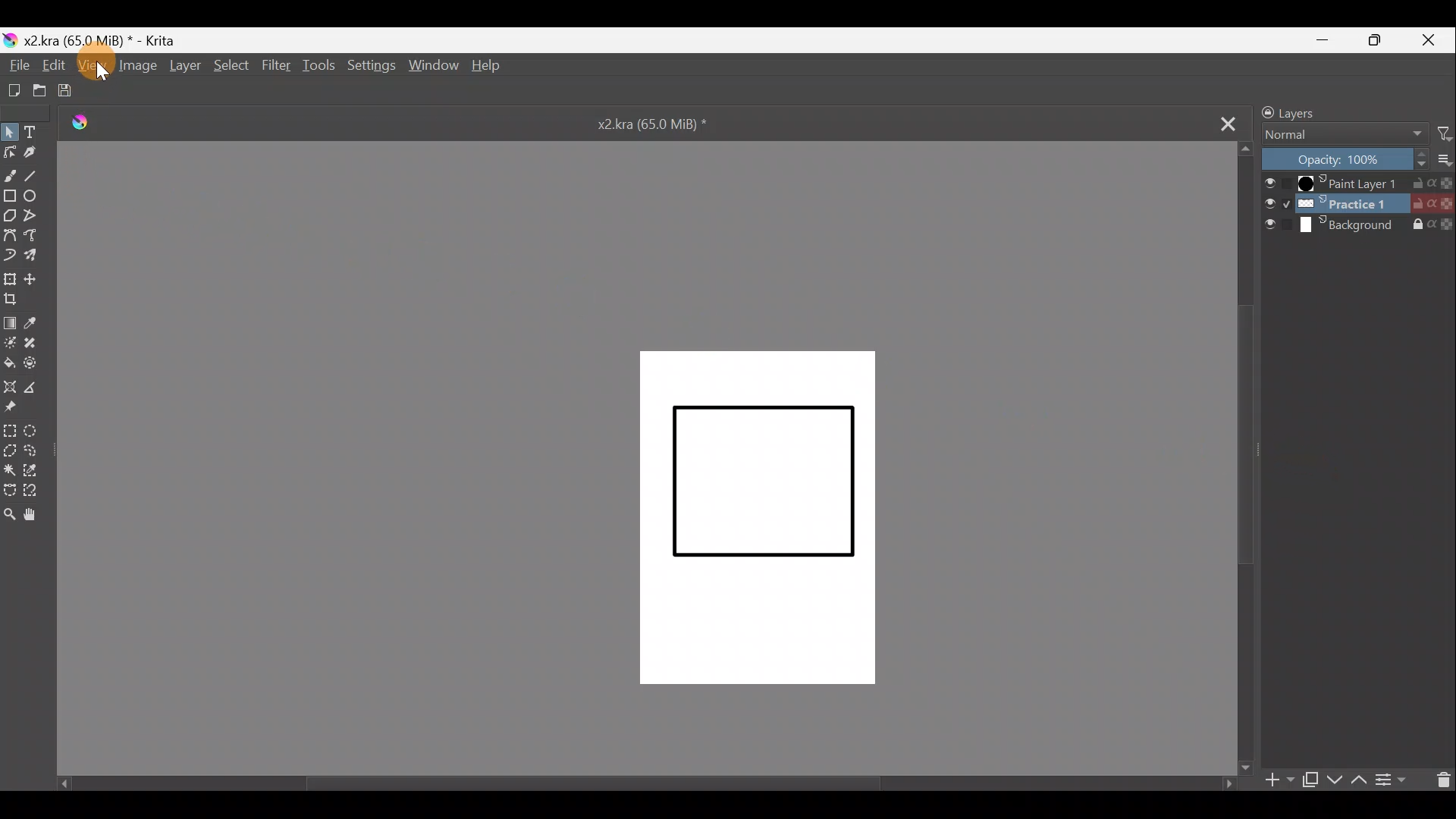 Image resolution: width=1456 pixels, height=819 pixels. Describe the element at coordinates (1346, 136) in the screenshot. I see `Blending mode` at that location.